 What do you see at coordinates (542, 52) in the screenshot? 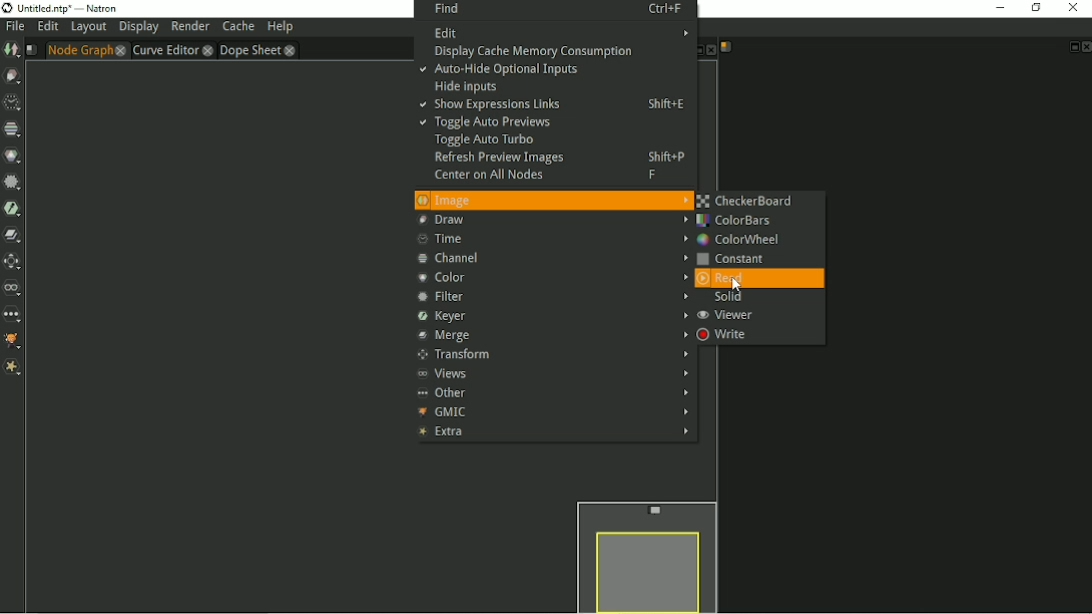
I see `Display cache memory consumption` at bounding box center [542, 52].